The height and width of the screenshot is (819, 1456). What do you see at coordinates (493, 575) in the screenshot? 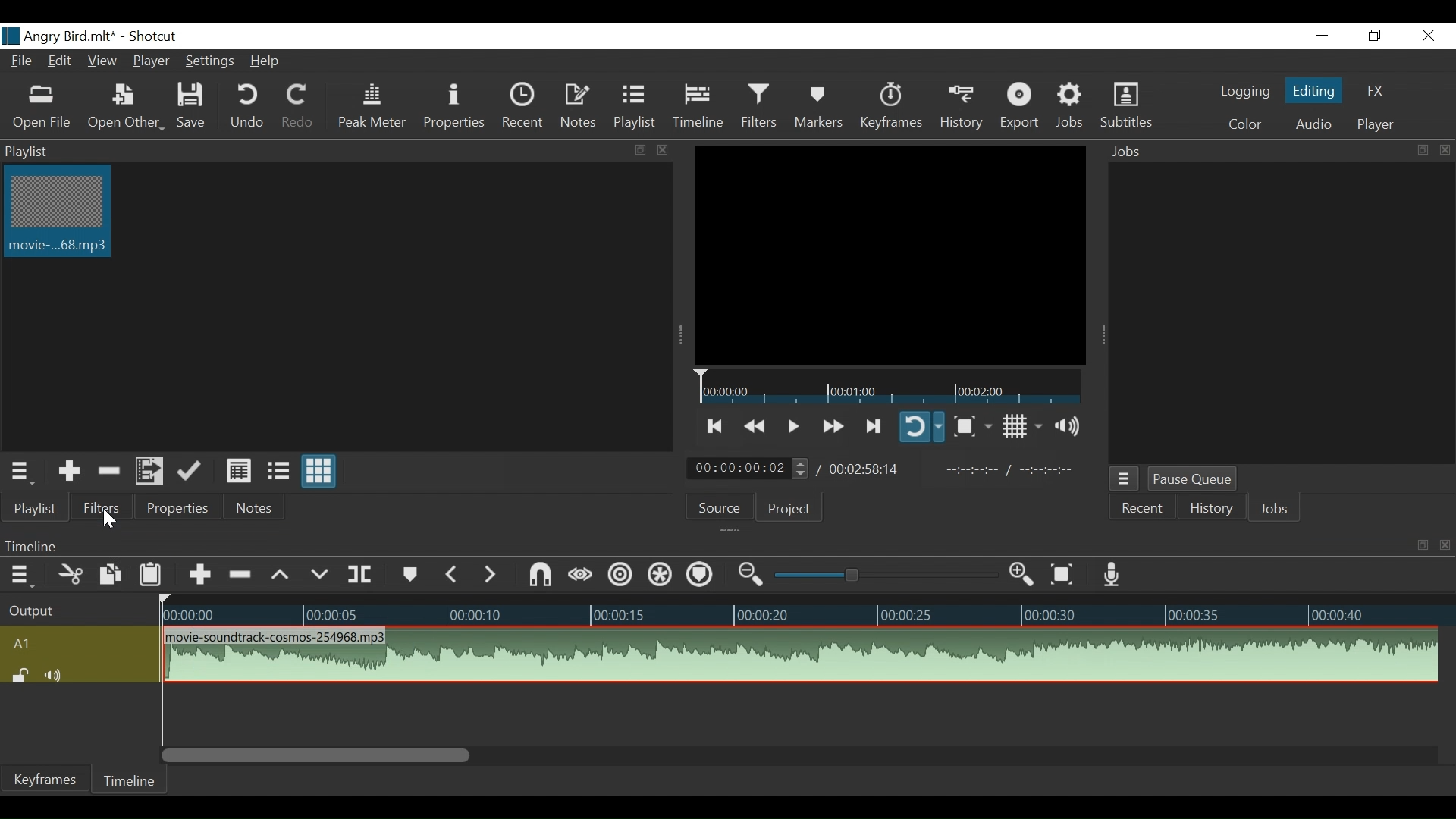
I see `Next Marker` at bounding box center [493, 575].